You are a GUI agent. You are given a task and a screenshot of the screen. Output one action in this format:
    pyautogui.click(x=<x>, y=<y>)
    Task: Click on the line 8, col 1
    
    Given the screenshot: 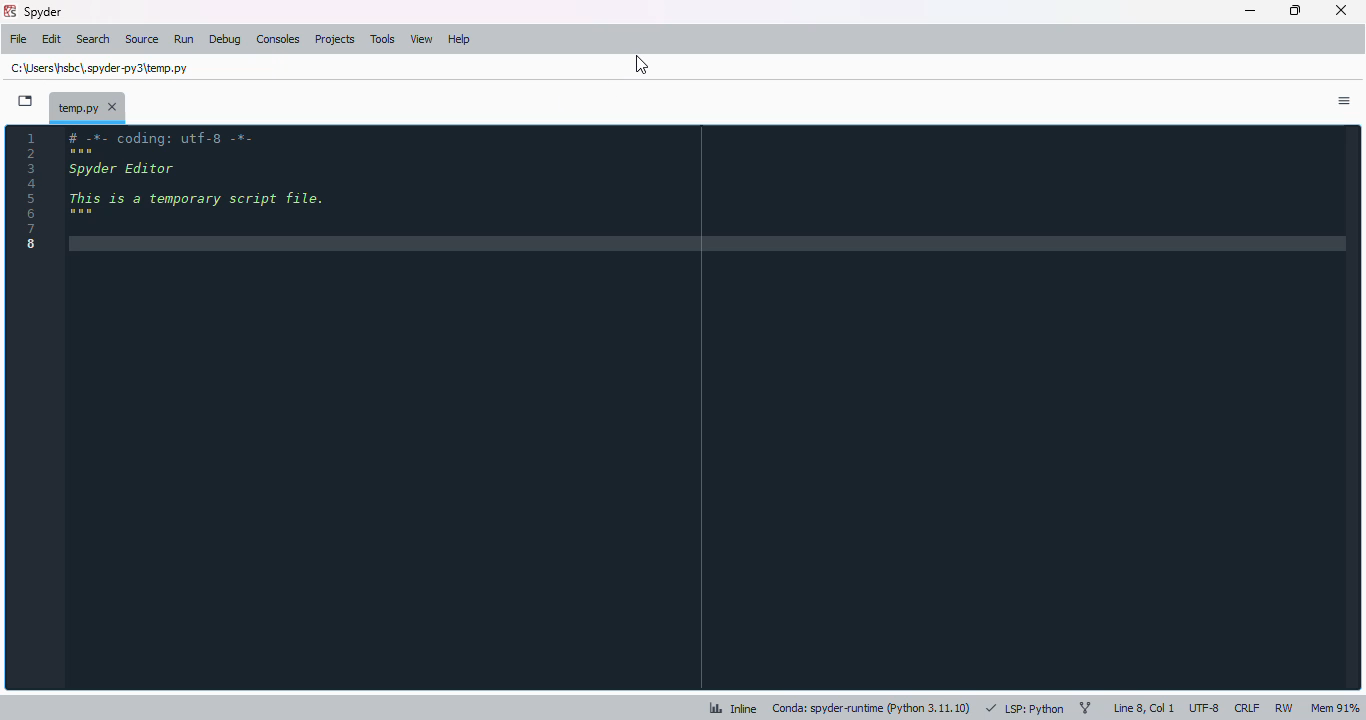 What is the action you would take?
    pyautogui.click(x=1144, y=708)
    